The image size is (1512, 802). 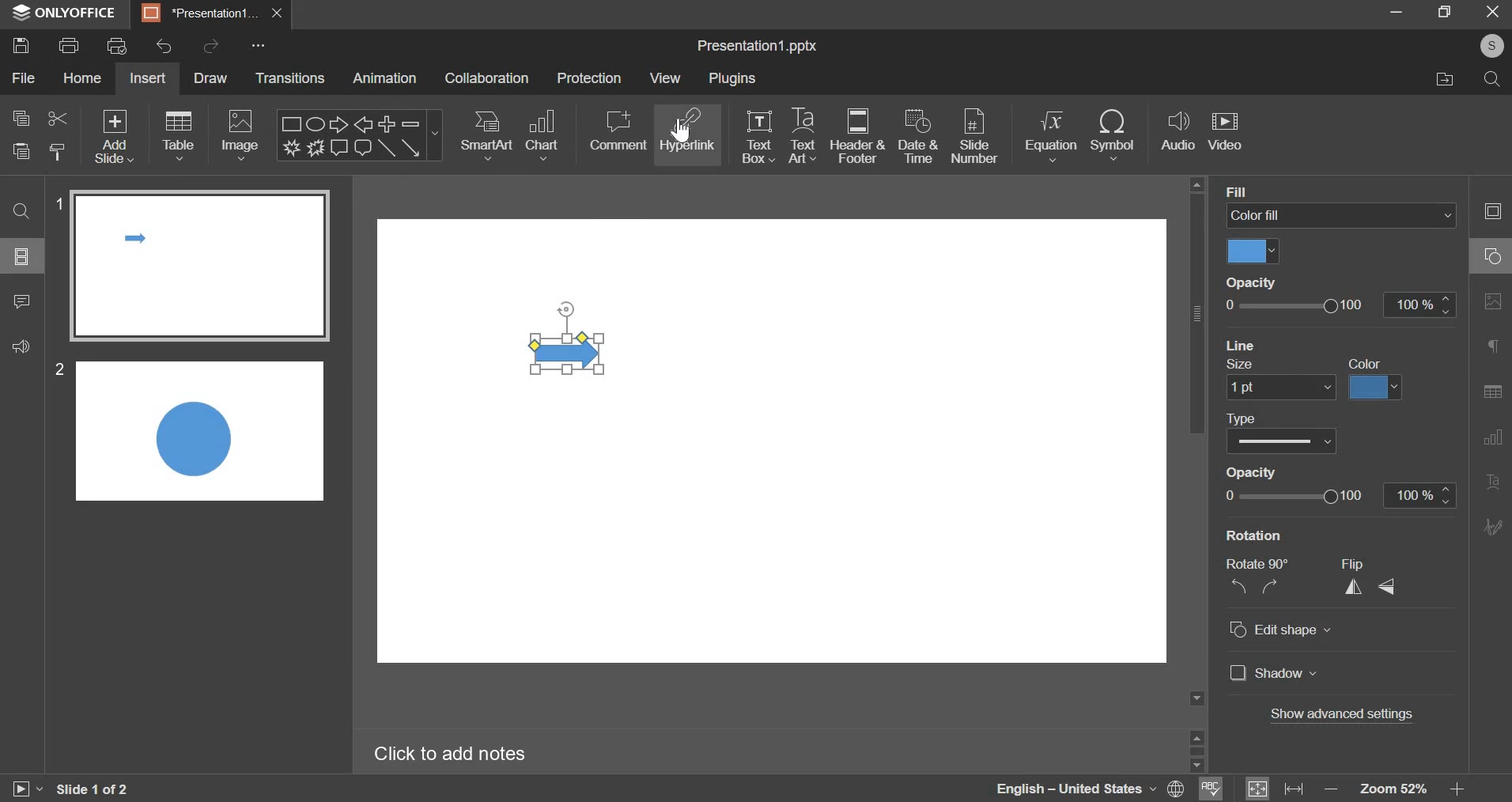 What do you see at coordinates (211, 13) in the screenshot?
I see `presentation` at bounding box center [211, 13].